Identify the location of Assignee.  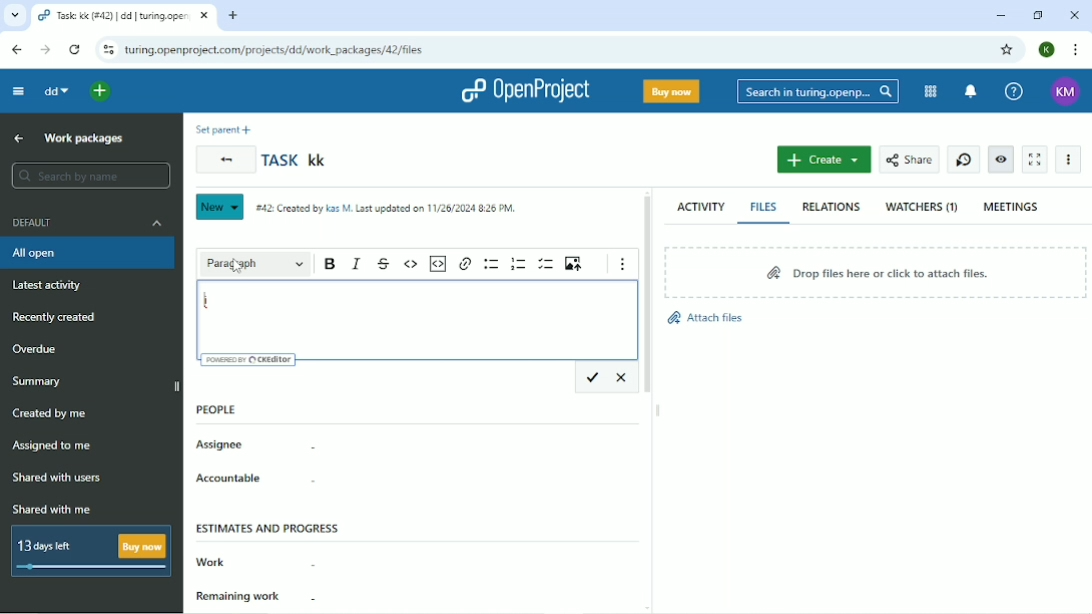
(261, 448).